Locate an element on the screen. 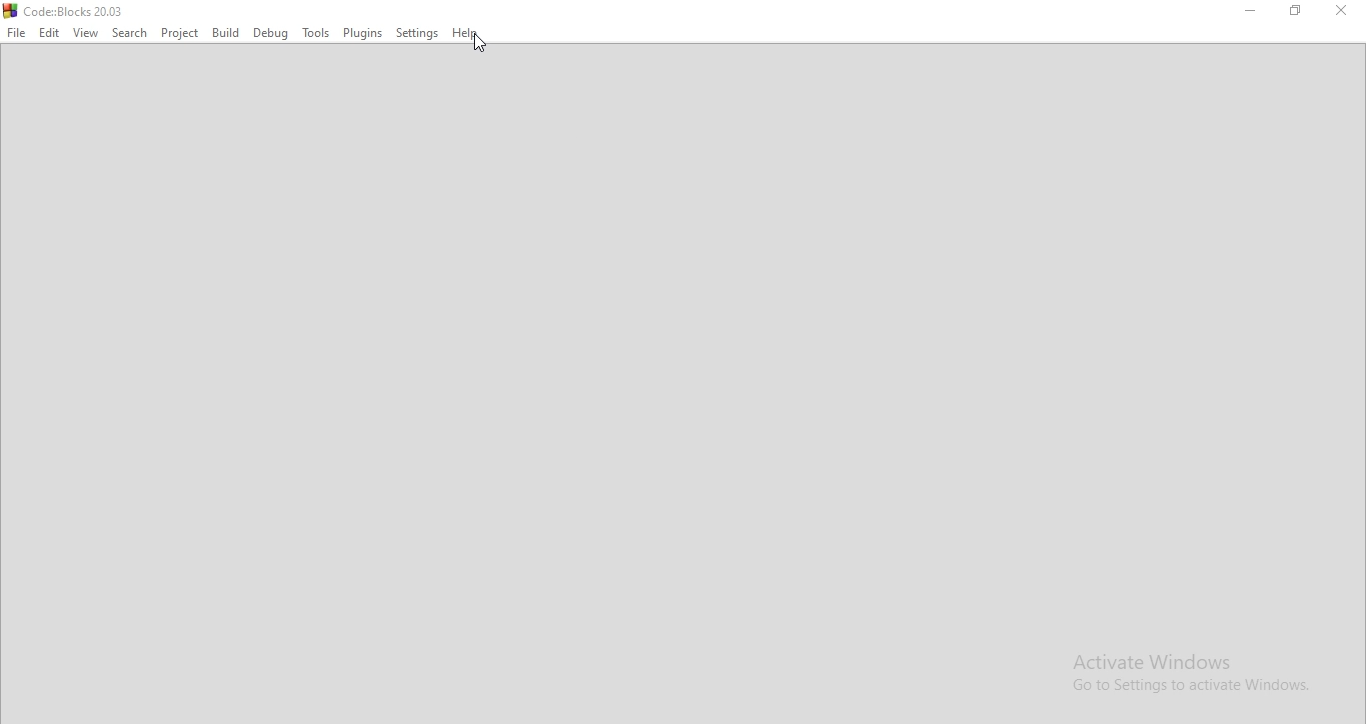  Help is located at coordinates (463, 34).